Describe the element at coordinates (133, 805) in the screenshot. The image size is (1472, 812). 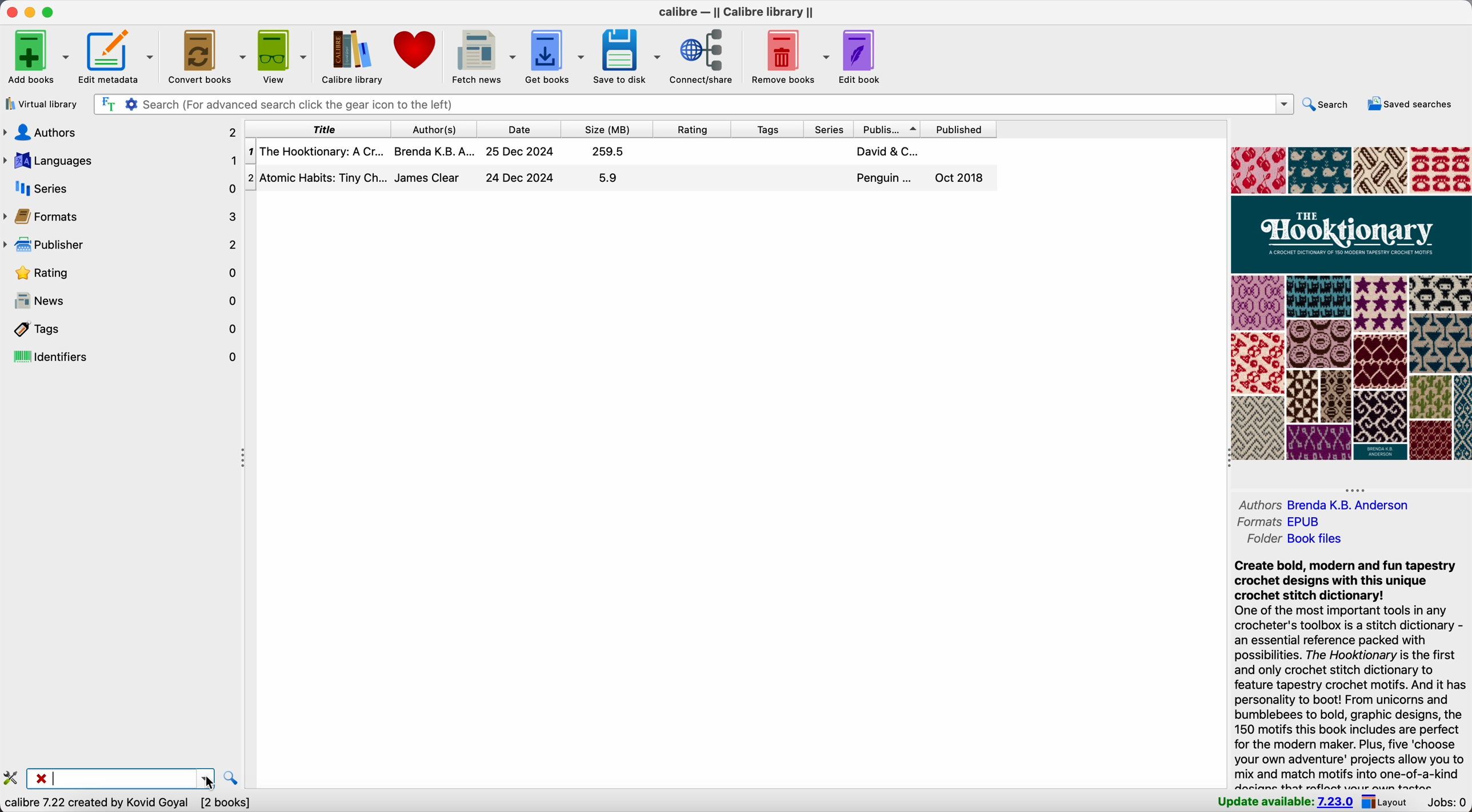
I see `data` at that location.